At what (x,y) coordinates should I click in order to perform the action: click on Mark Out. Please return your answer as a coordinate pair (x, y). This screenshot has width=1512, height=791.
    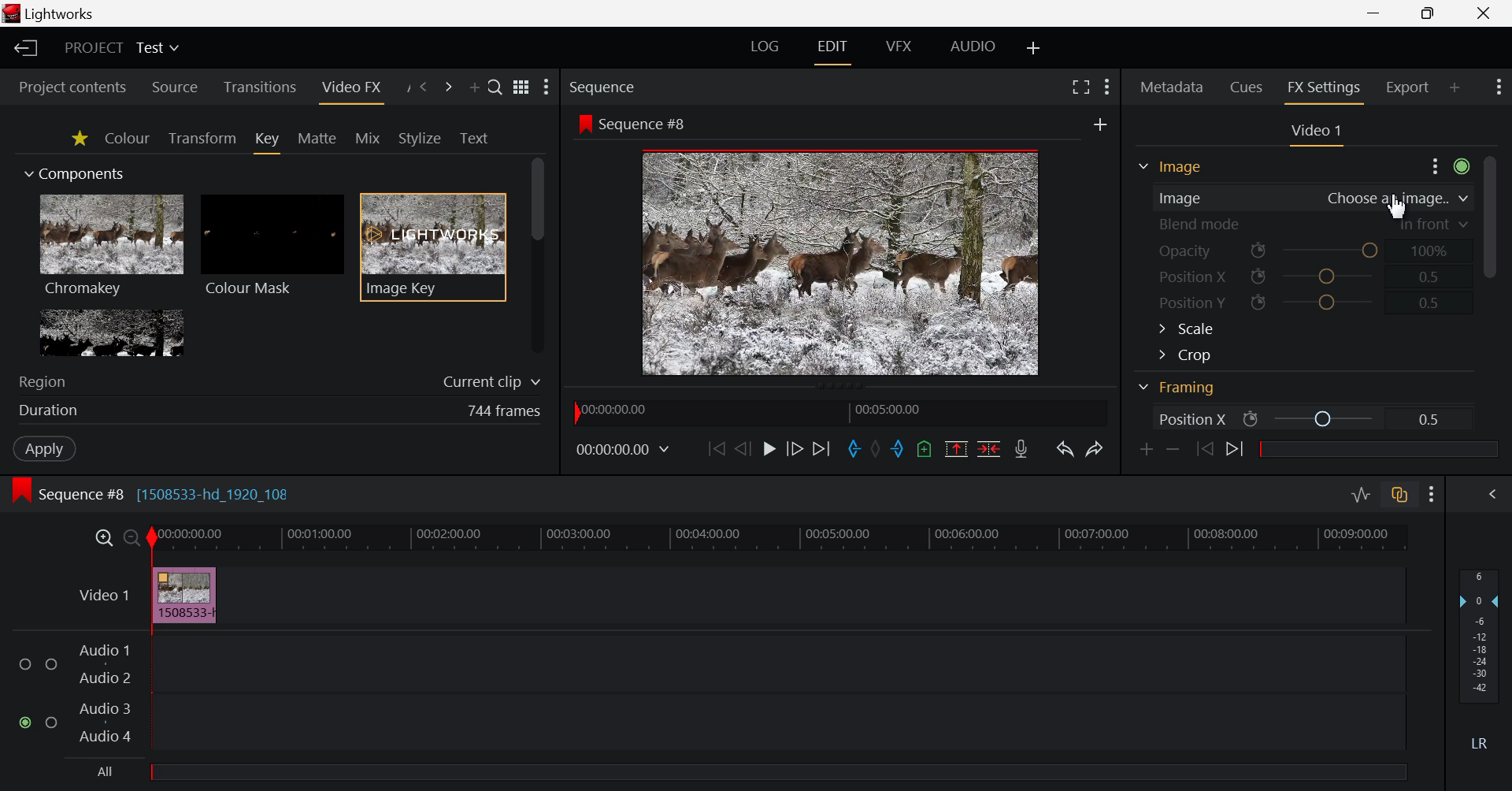
    Looking at the image, I should click on (899, 448).